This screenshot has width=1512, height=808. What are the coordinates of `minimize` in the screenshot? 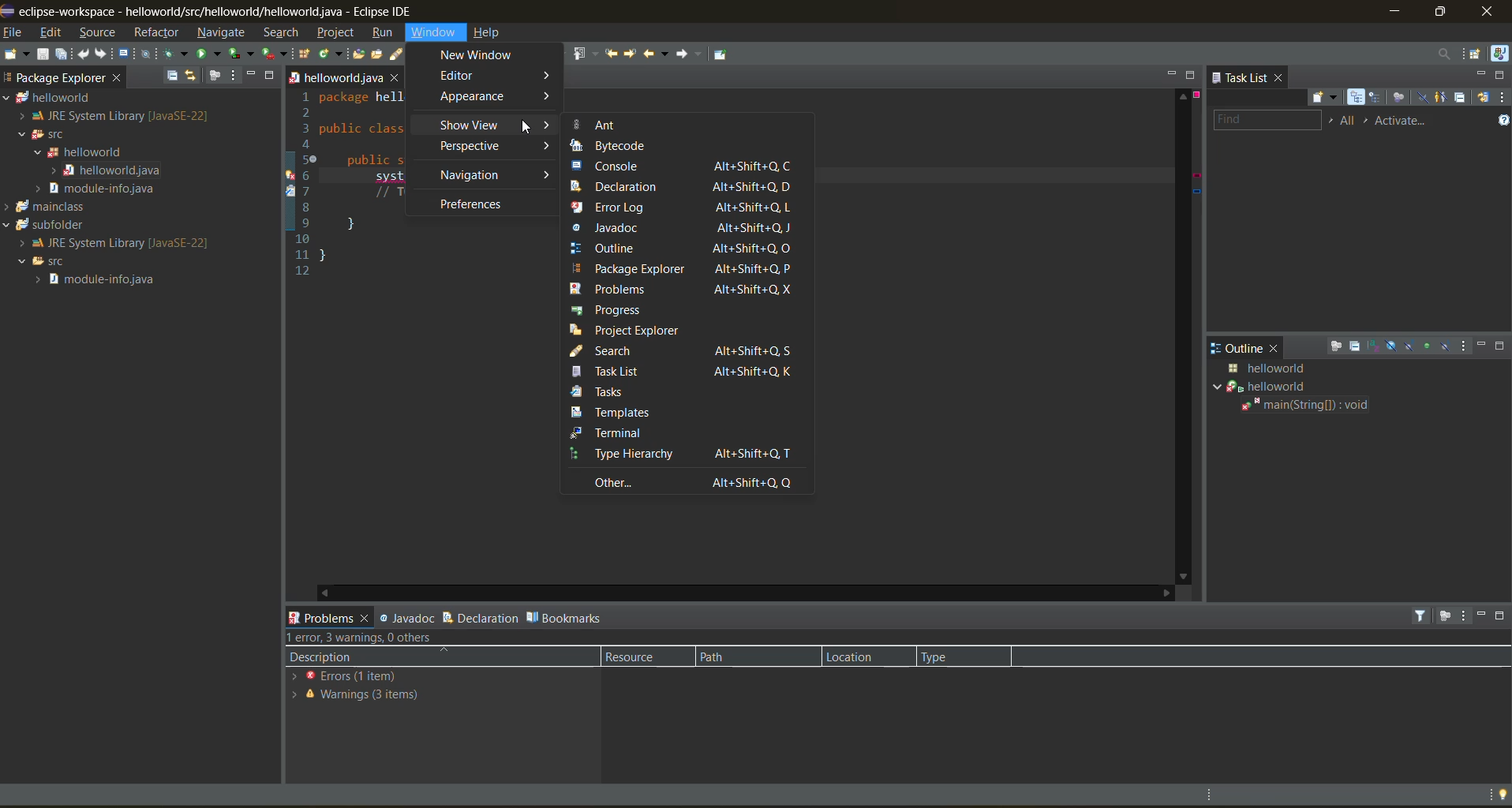 It's located at (1171, 73).